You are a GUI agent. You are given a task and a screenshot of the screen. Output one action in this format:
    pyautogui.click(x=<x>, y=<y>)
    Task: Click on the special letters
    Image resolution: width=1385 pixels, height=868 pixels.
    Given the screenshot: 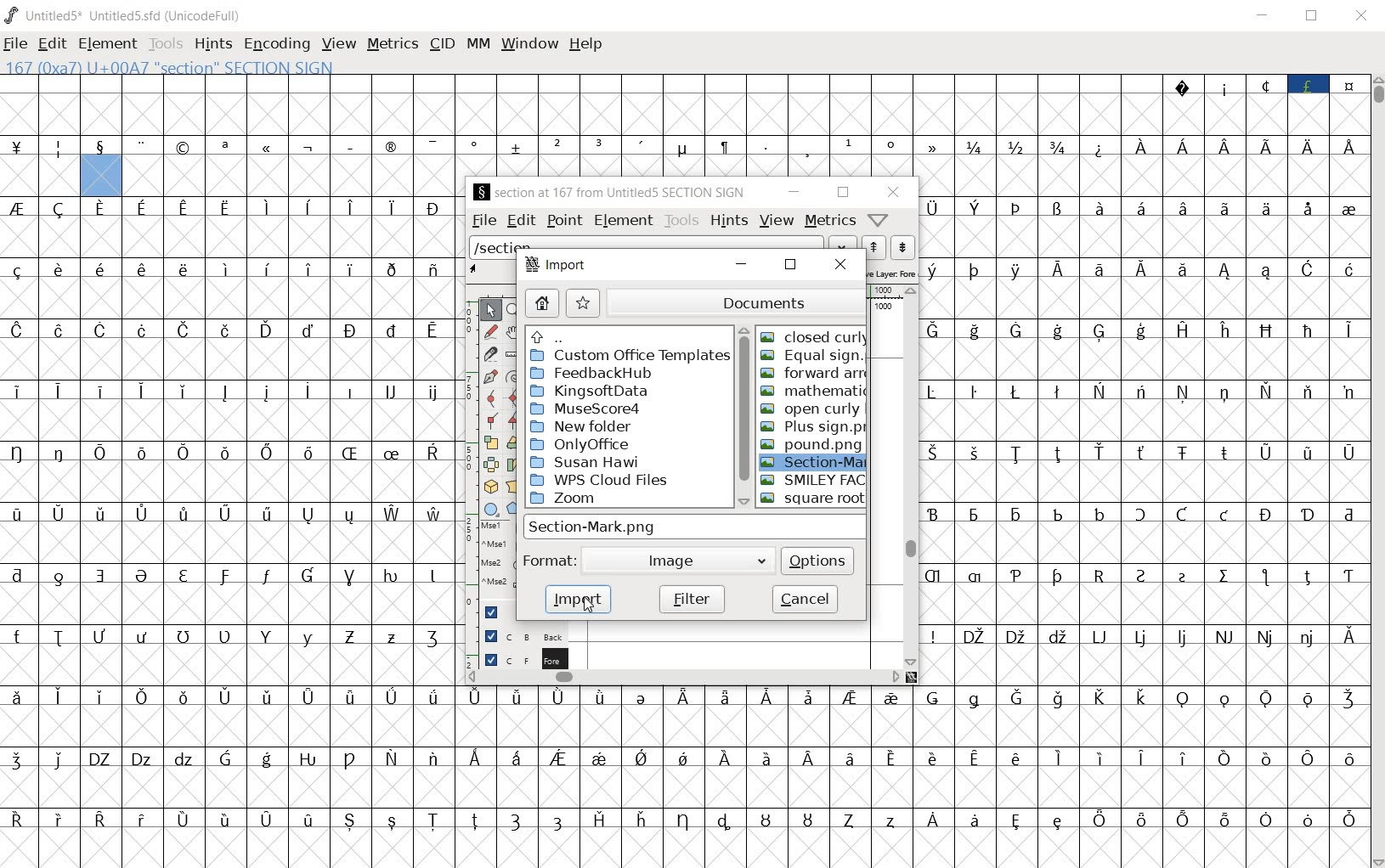 What is the action you would take?
    pyautogui.click(x=229, y=514)
    